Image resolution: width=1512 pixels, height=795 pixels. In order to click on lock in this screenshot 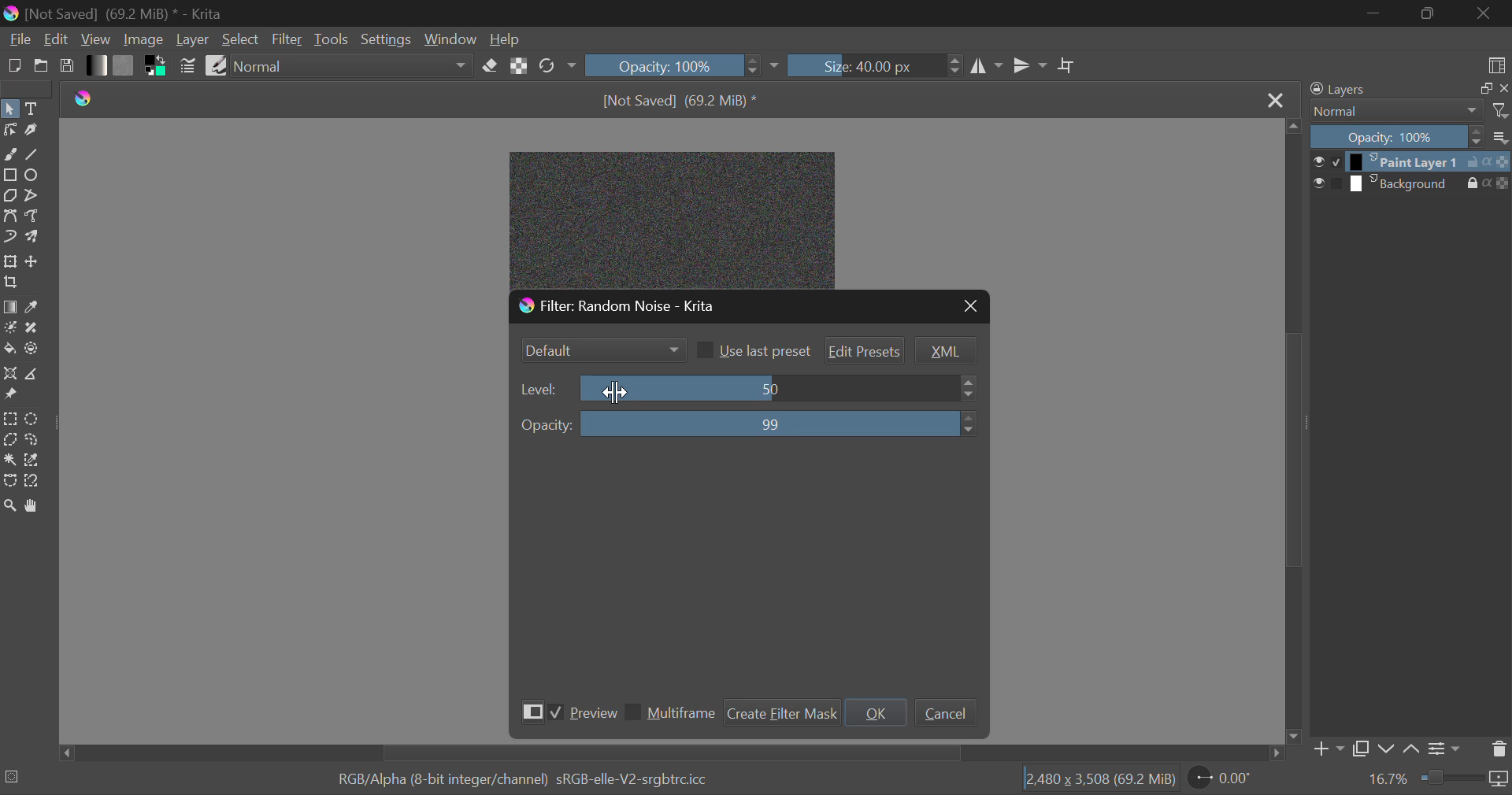, I will do `click(1469, 161)`.